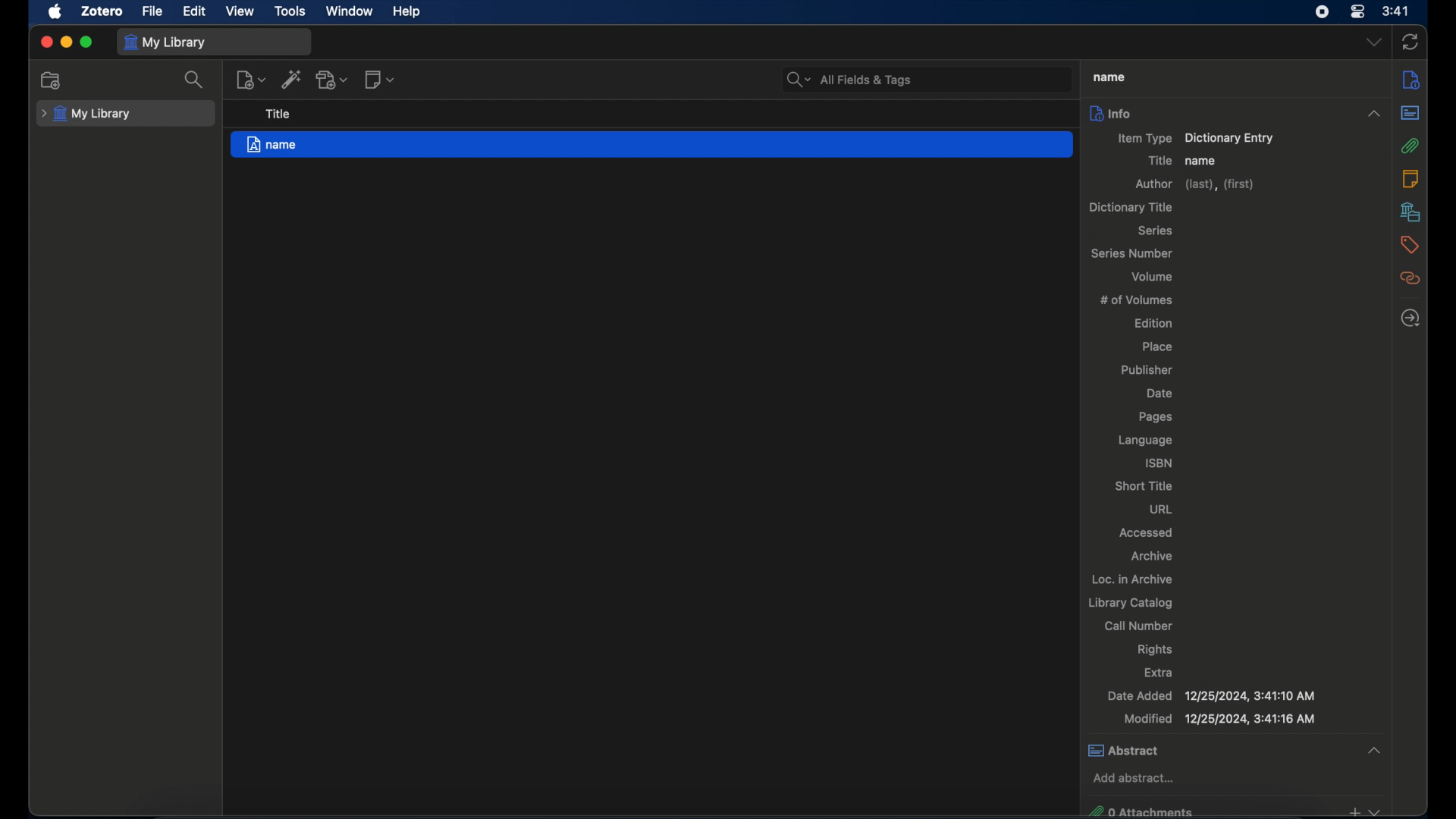 This screenshot has height=819, width=1456. I want to click on author, so click(1197, 185).